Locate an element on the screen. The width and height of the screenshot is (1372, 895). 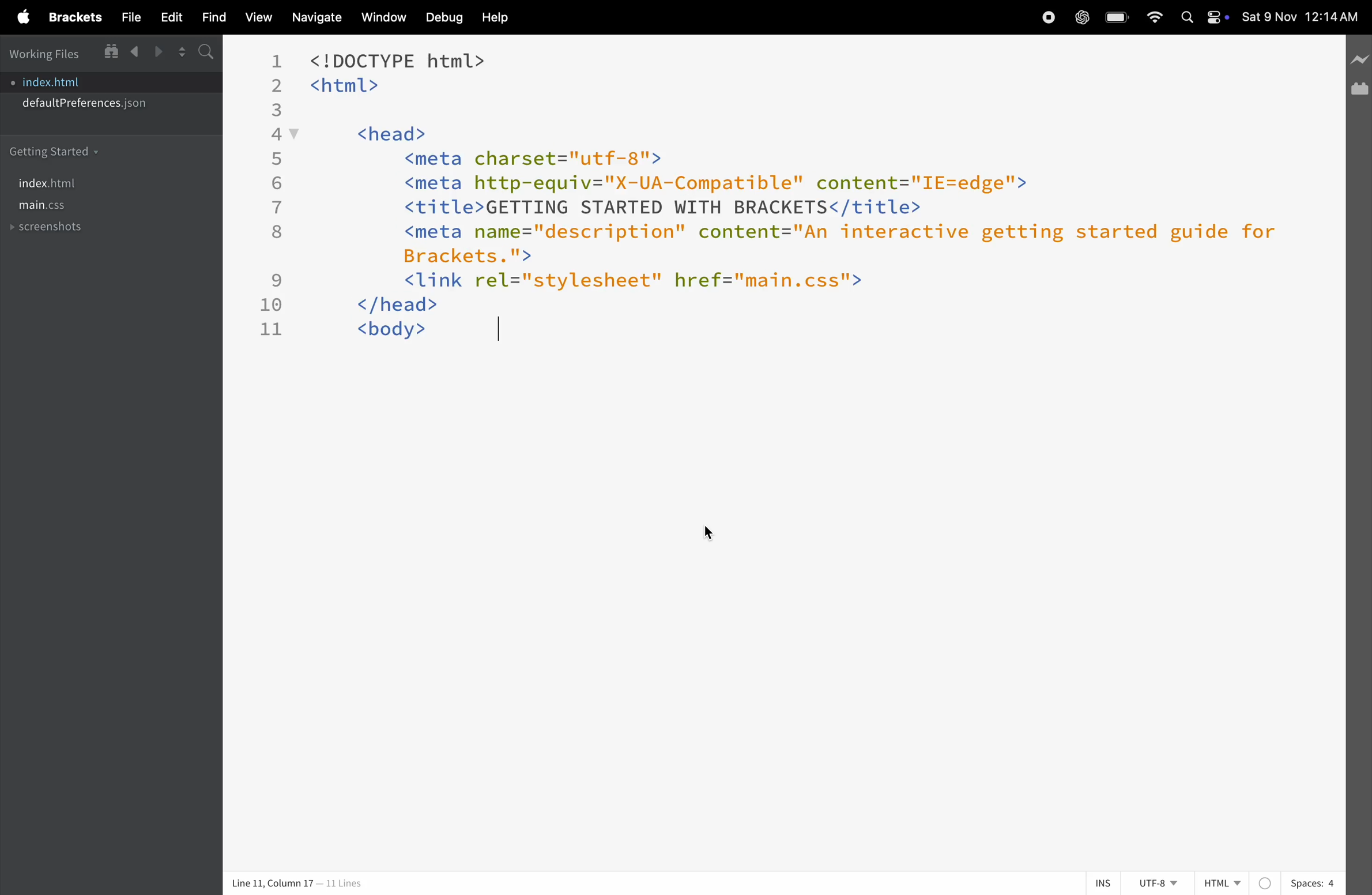
record is located at coordinates (1045, 17).